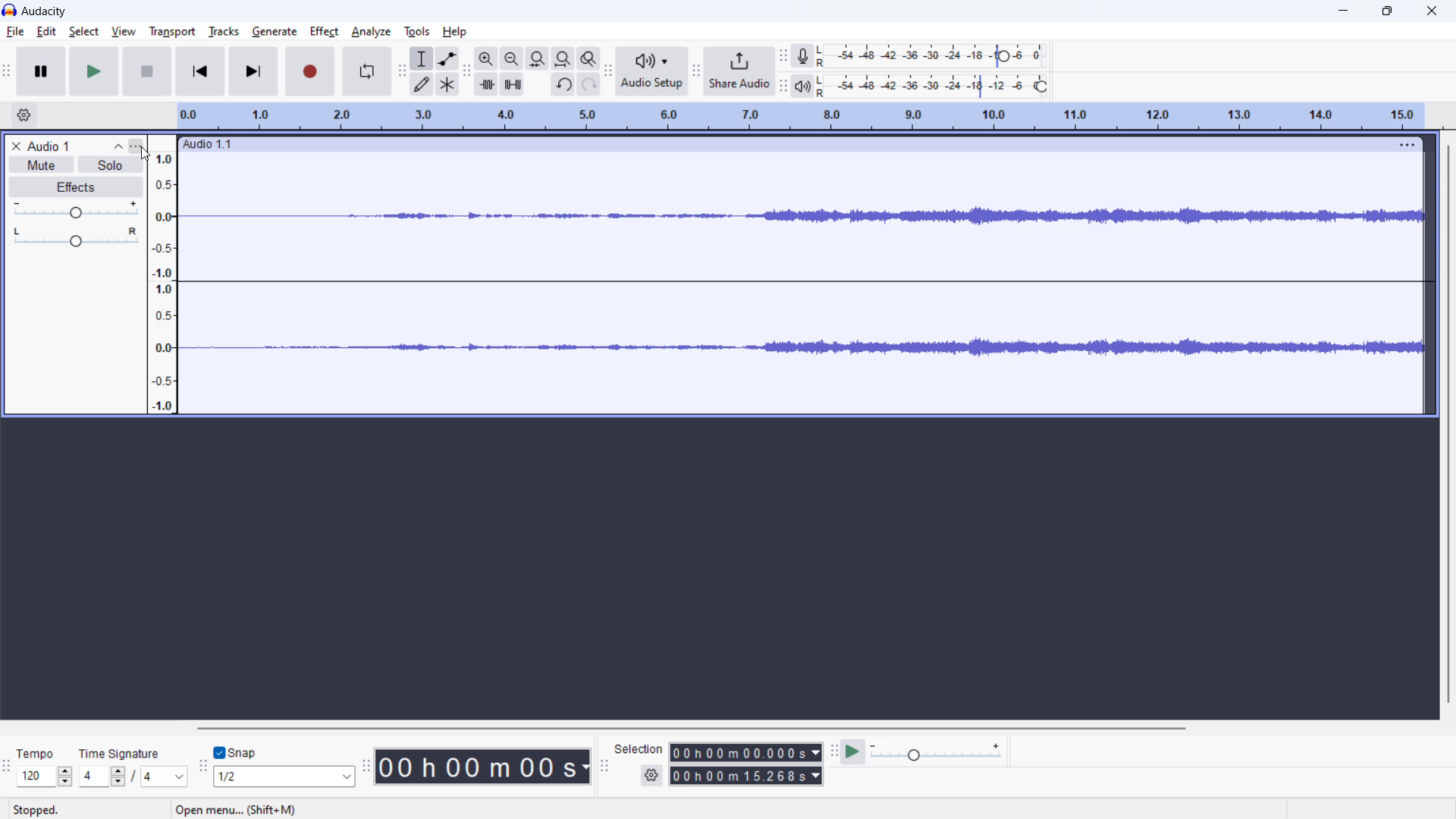 The width and height of the screenshot is (1456, 819). I want to click on fit selection to width, so click(538, 58).